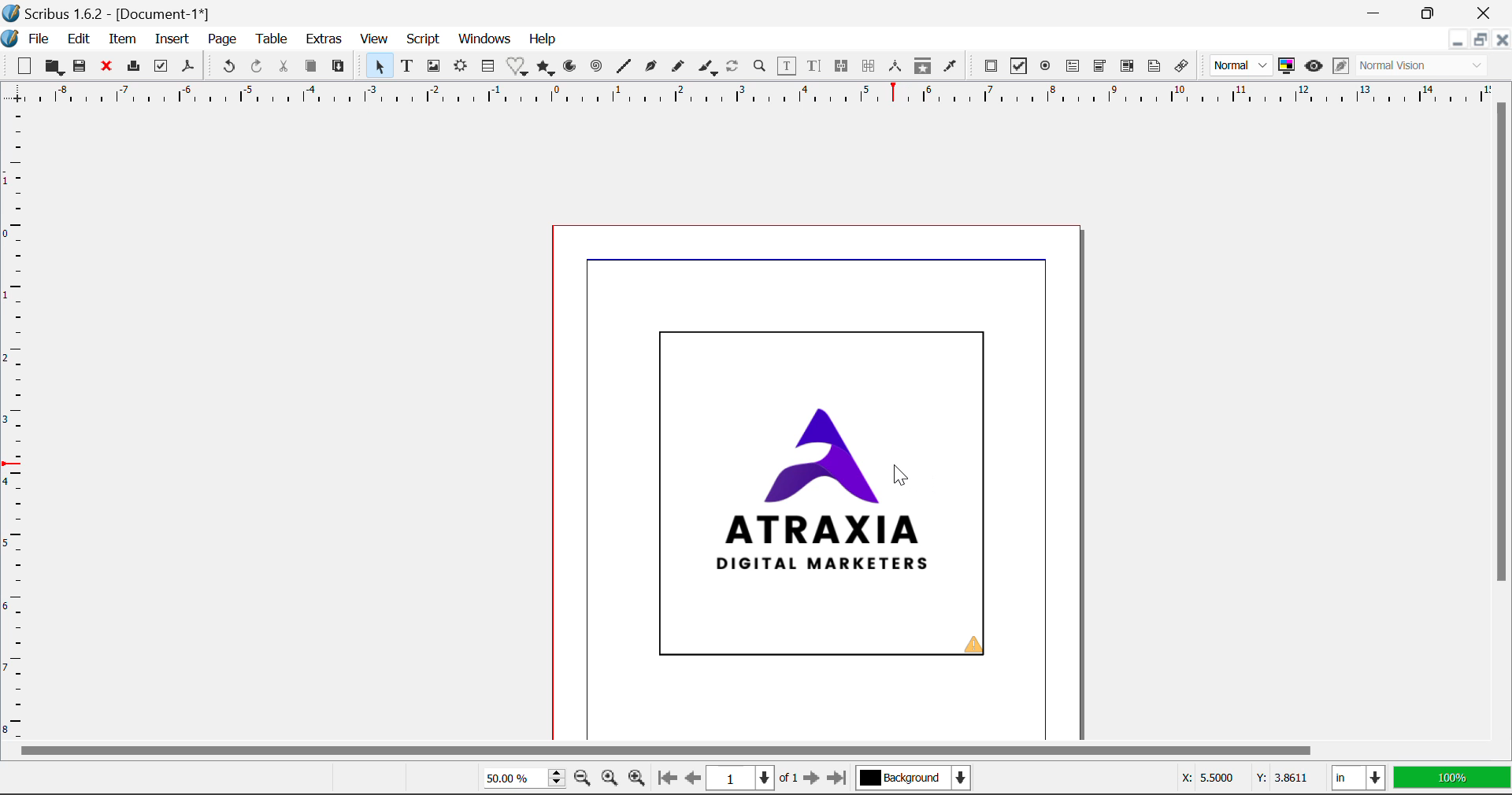 The width and height of the screenshot is (1512, 795). I want to click on Close, so click(1502, 40).